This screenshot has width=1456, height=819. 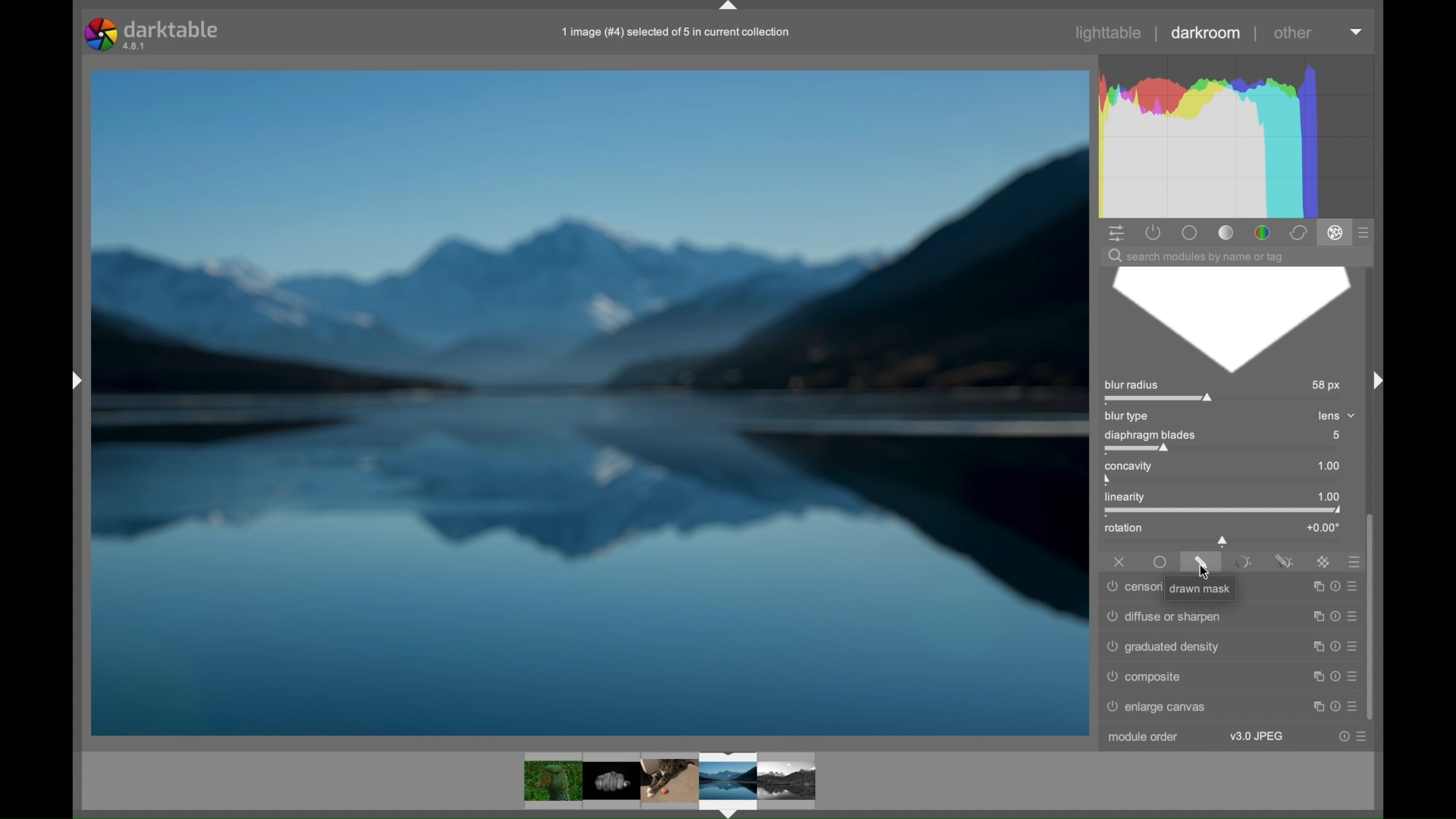 I want to click on scroll box, so click(x=1376, y=617).